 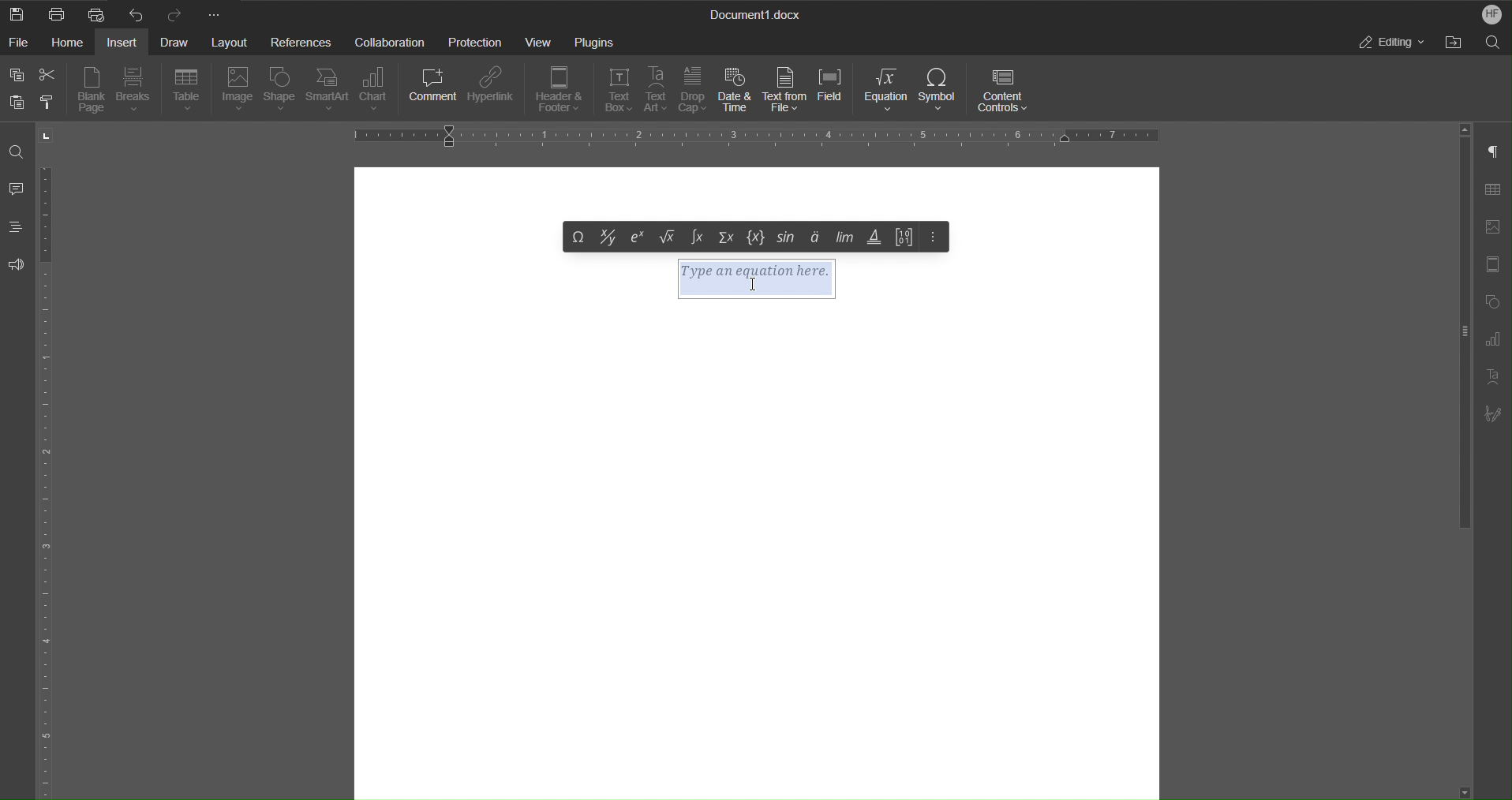 What do you see at coordinates (756, 237) in the screenshot?
I see `Set` at bounding box center [756, 237].